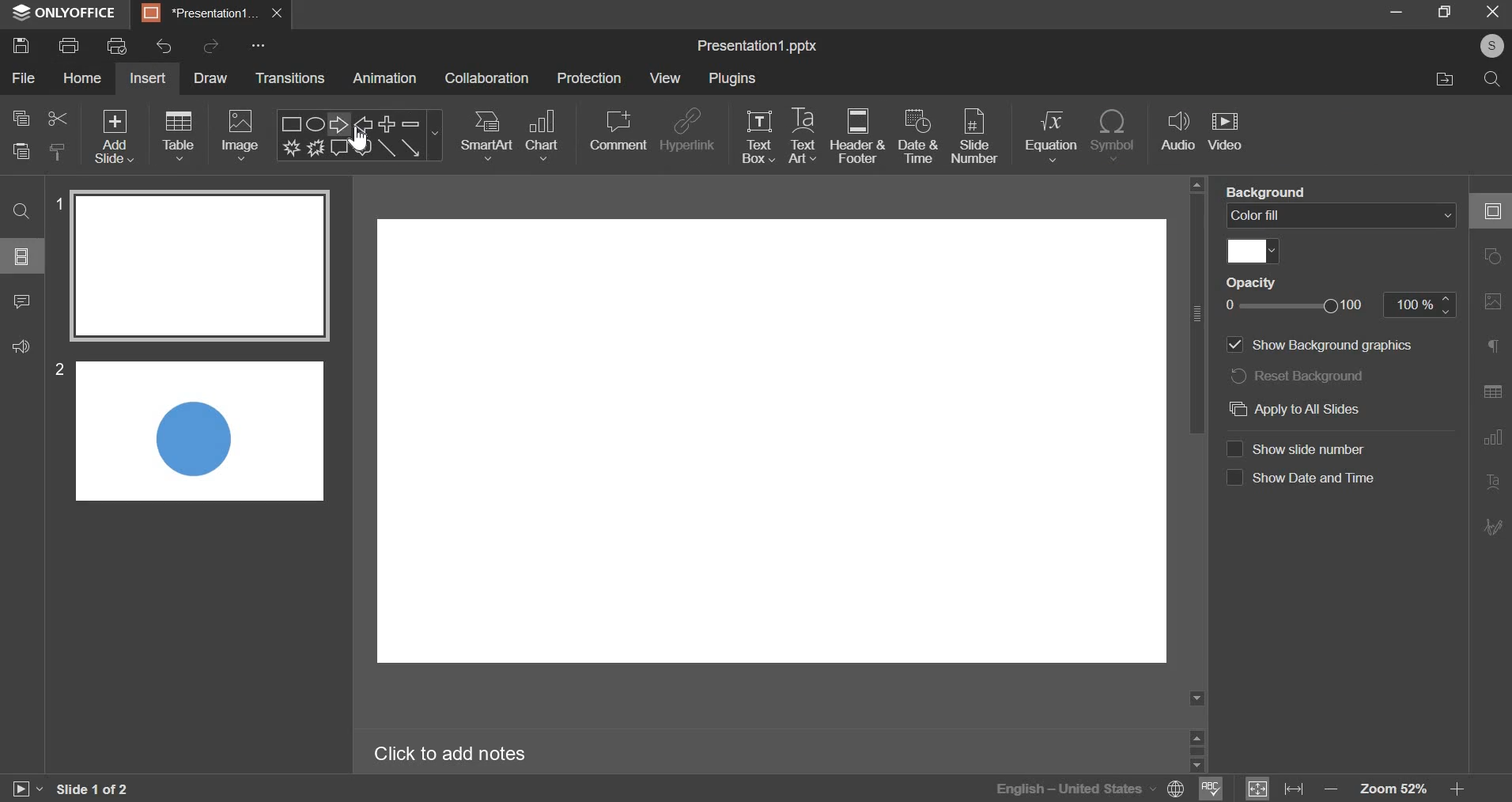 The image size is (1512, 802). Describe the element at coordinates (259, 44) in the screenshot. I see `customise quick access` at that location.